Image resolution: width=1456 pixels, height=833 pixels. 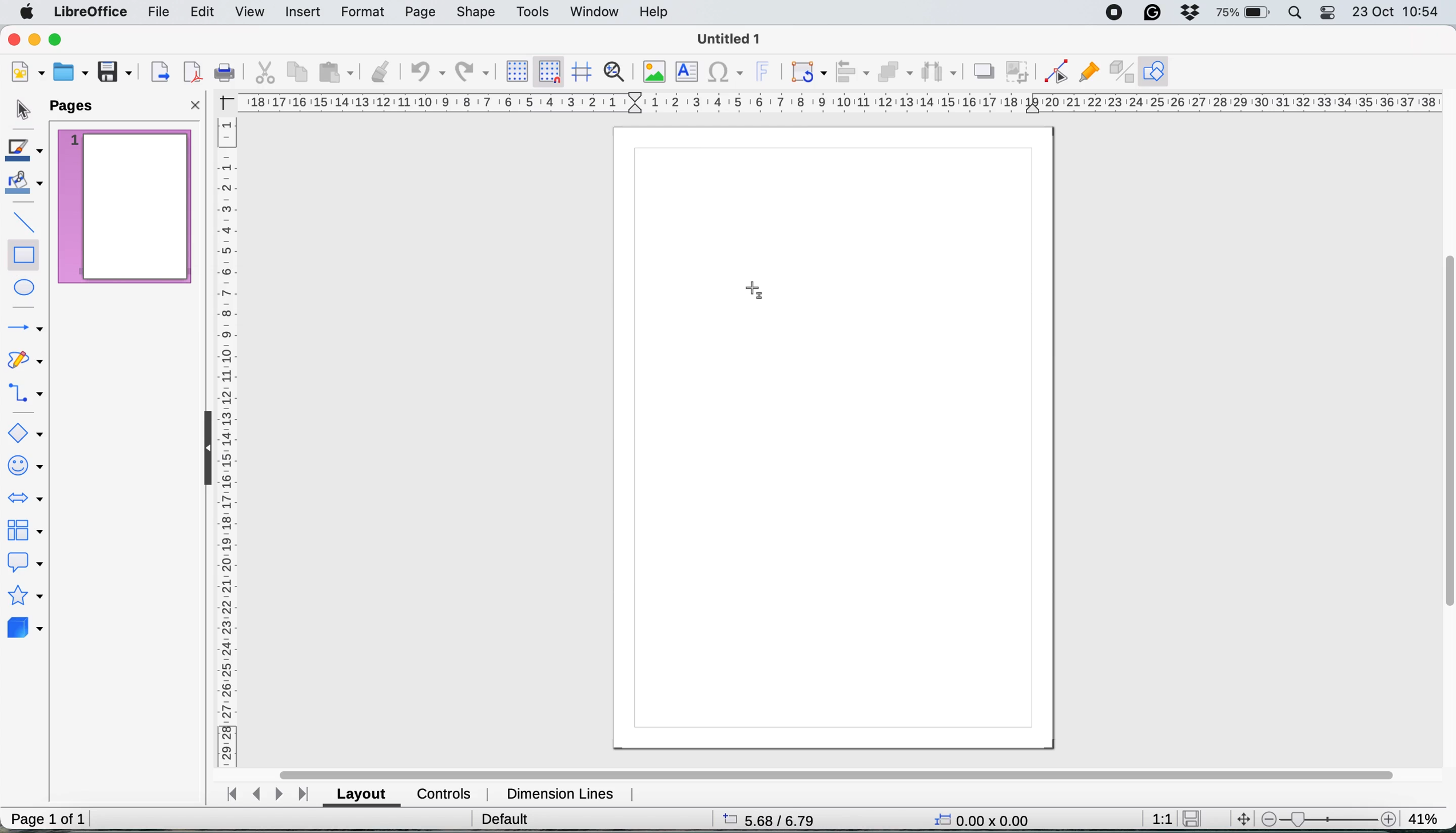 I want to click on connectors, so click(x=26, y=395).